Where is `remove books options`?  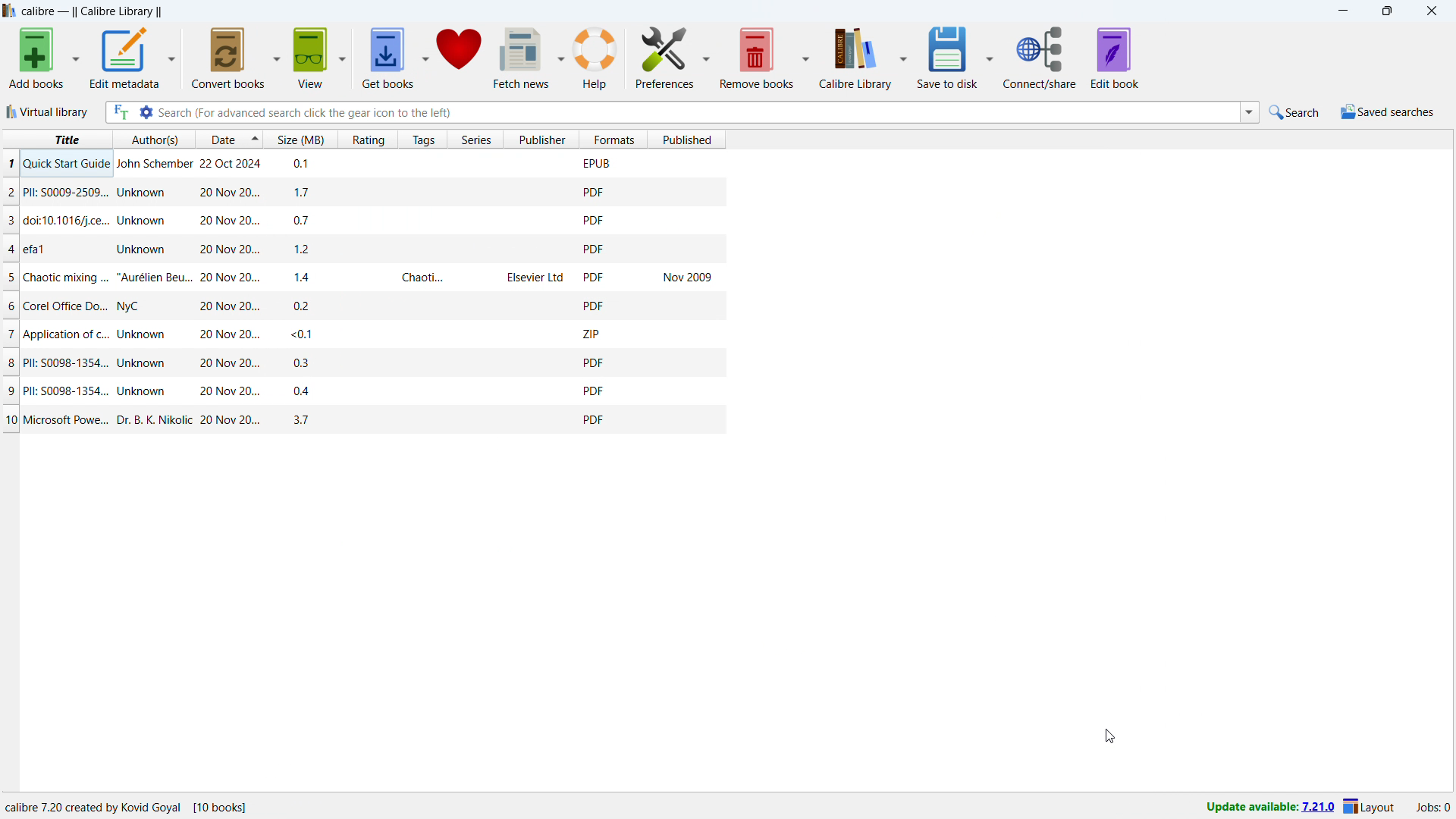 remove books options is located at coordinates (806, 56).